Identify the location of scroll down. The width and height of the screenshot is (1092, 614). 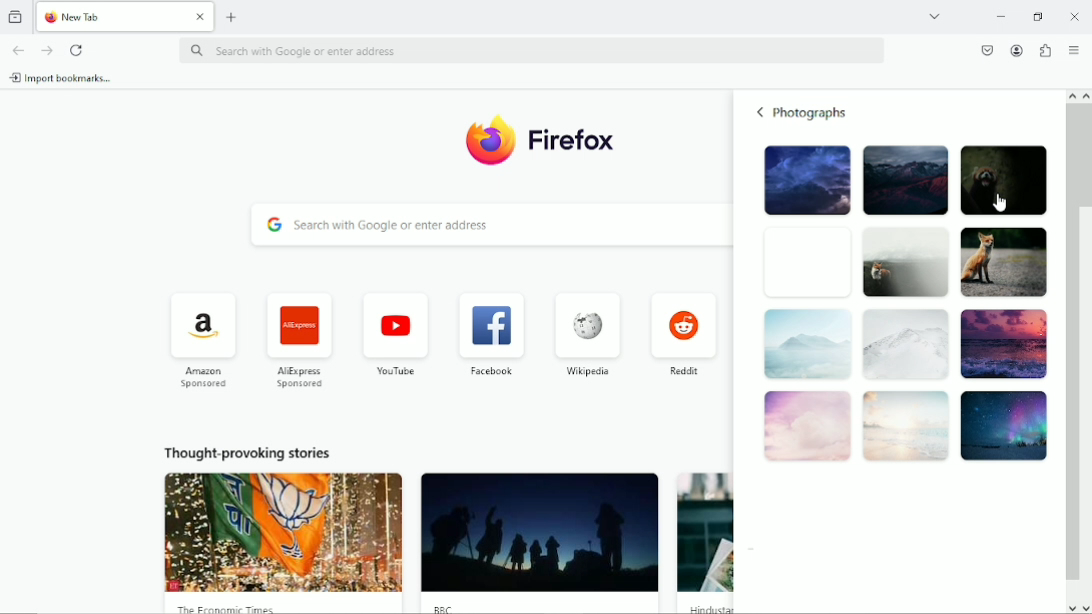
(1085, 608).